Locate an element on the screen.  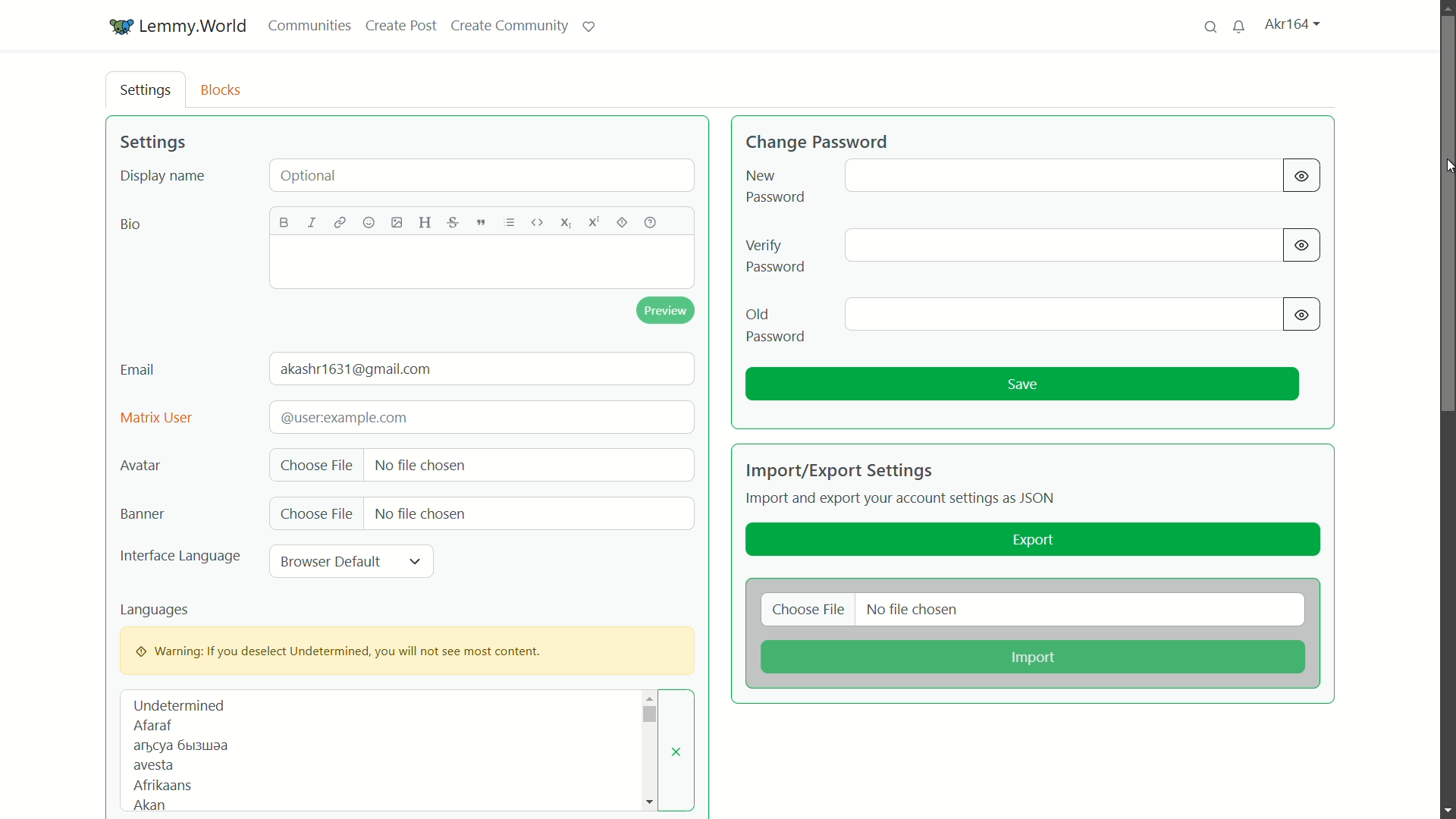
cursor is located at coordinates (1445, 168).